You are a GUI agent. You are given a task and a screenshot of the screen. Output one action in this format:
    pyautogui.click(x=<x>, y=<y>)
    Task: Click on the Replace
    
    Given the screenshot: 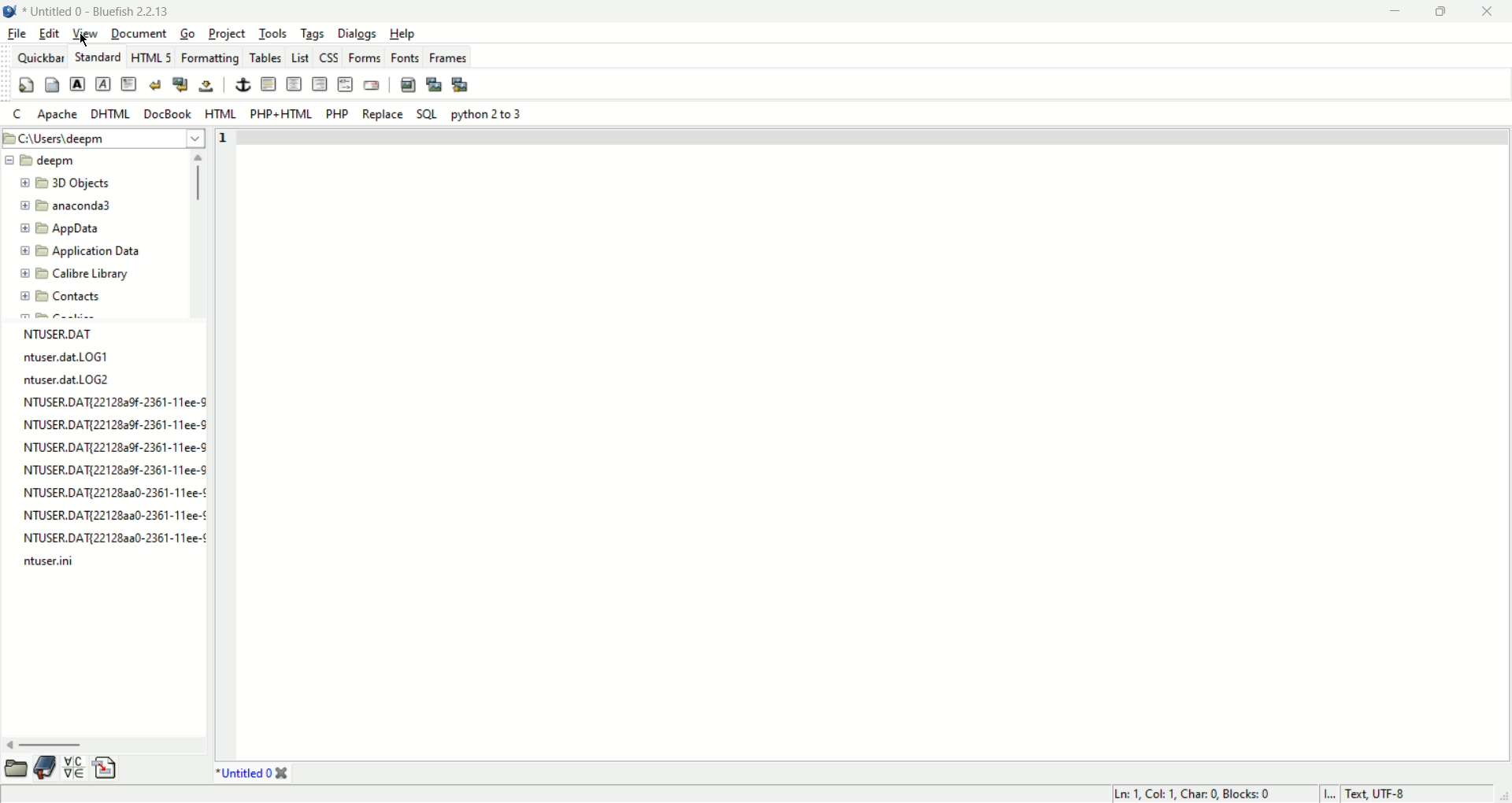 What is the action you would take?
    pyautogui.click(x=384, y=114)
    